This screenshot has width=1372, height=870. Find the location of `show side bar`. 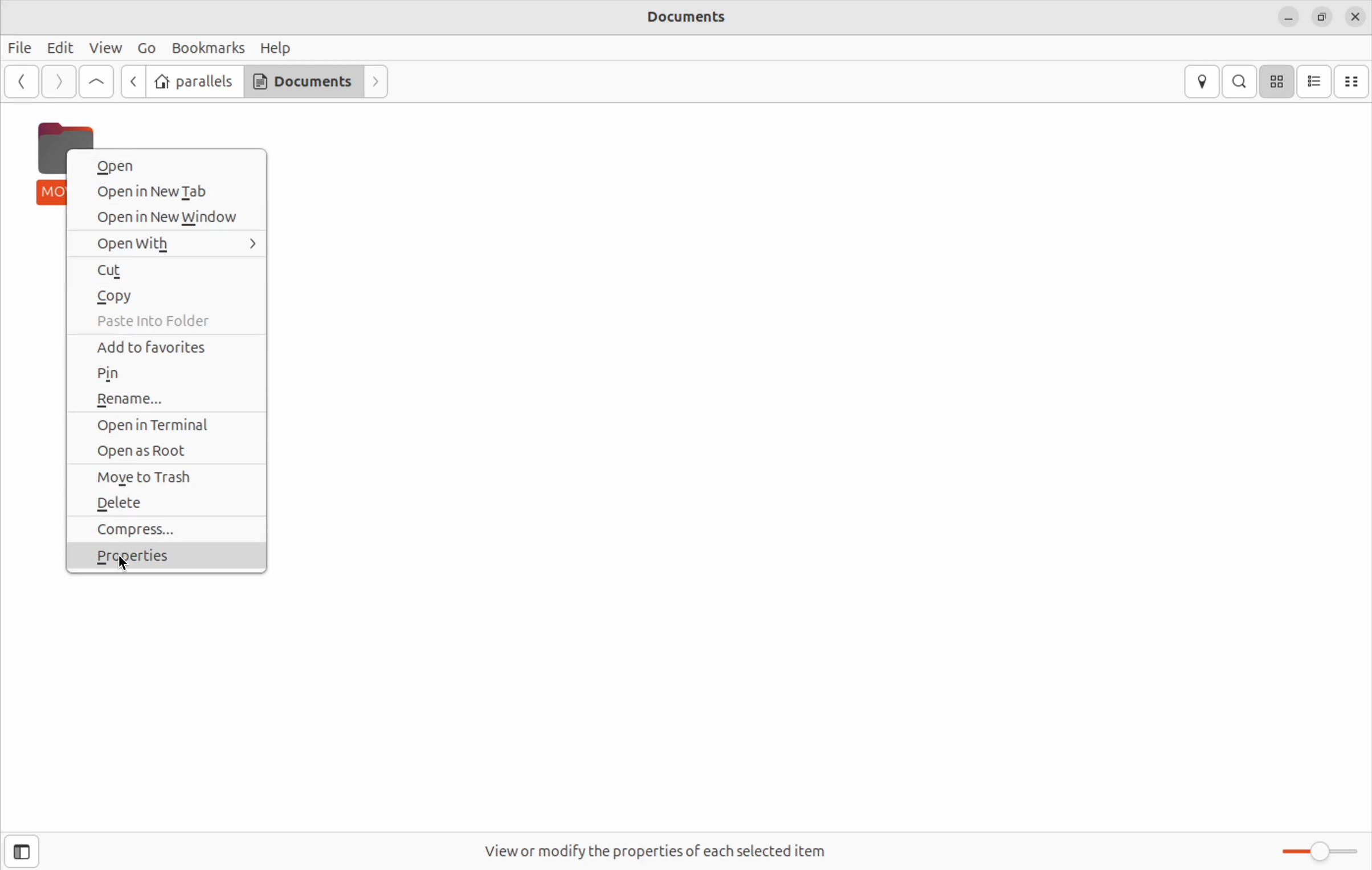

show side bar is located at coordinates (23, 852).